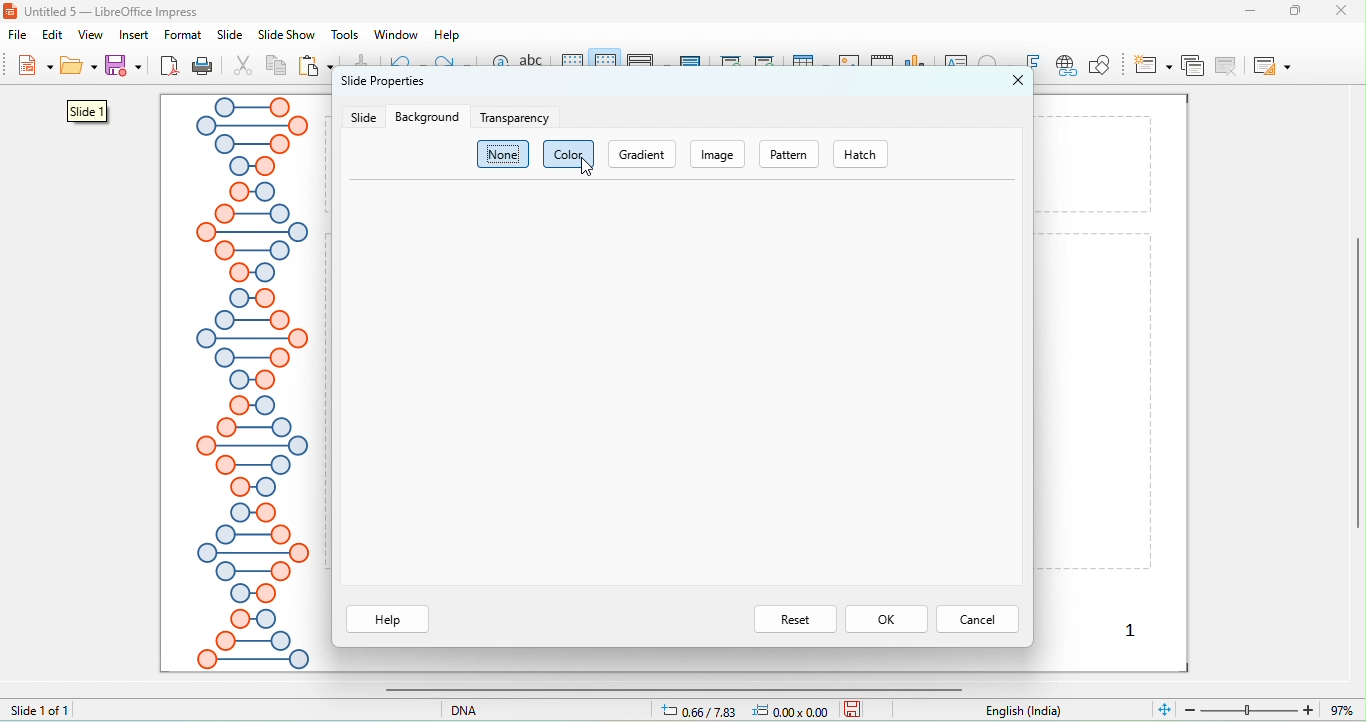 This screenshot has height=722, width=1366. What do you see at coordinates (557, 154) in the screenshot?
I see `color` at bounding box center [557, 154].